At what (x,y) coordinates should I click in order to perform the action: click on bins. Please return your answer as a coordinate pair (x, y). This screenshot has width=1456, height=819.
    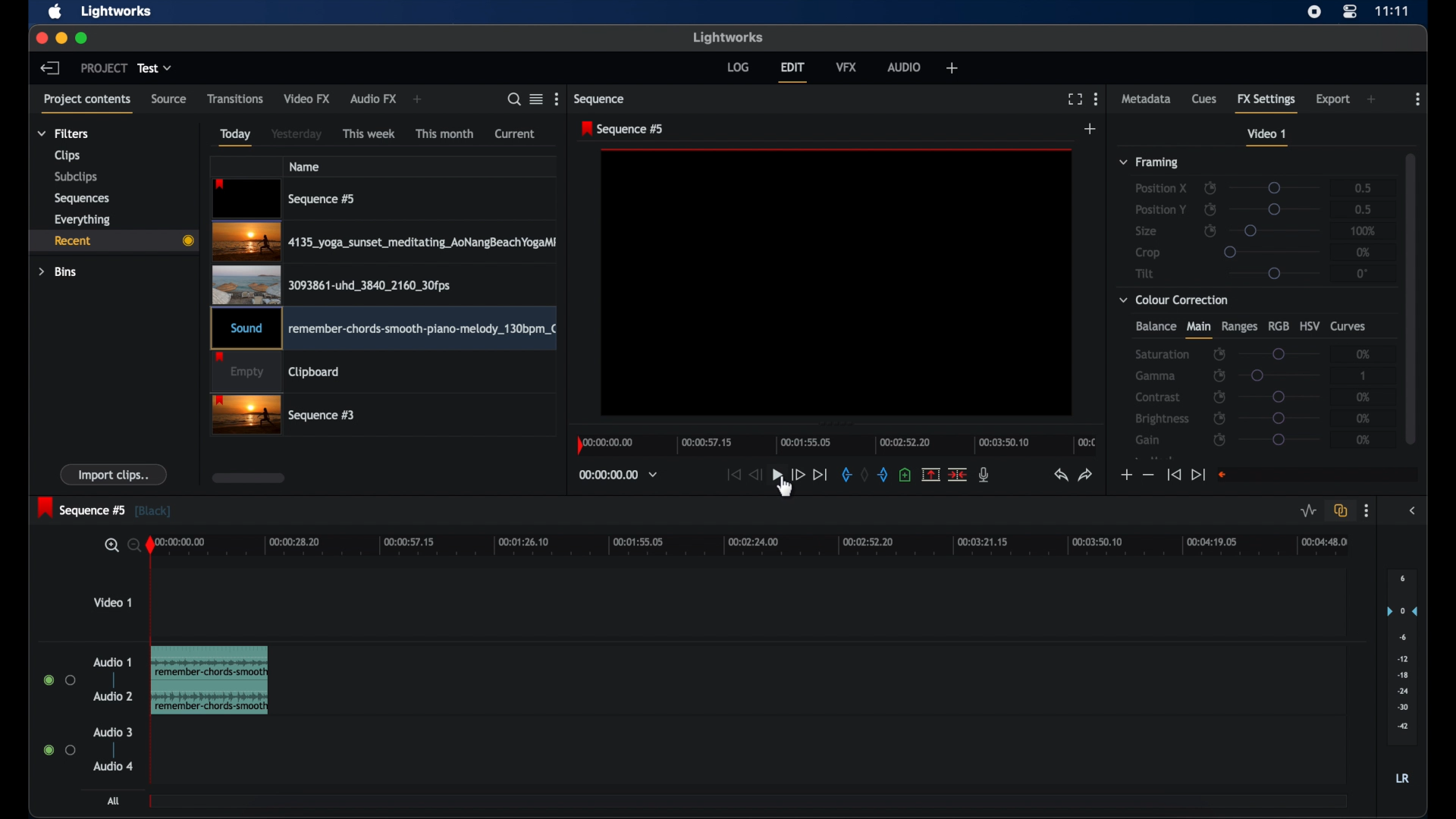
    Looking at the image, I should click on (58, 272).